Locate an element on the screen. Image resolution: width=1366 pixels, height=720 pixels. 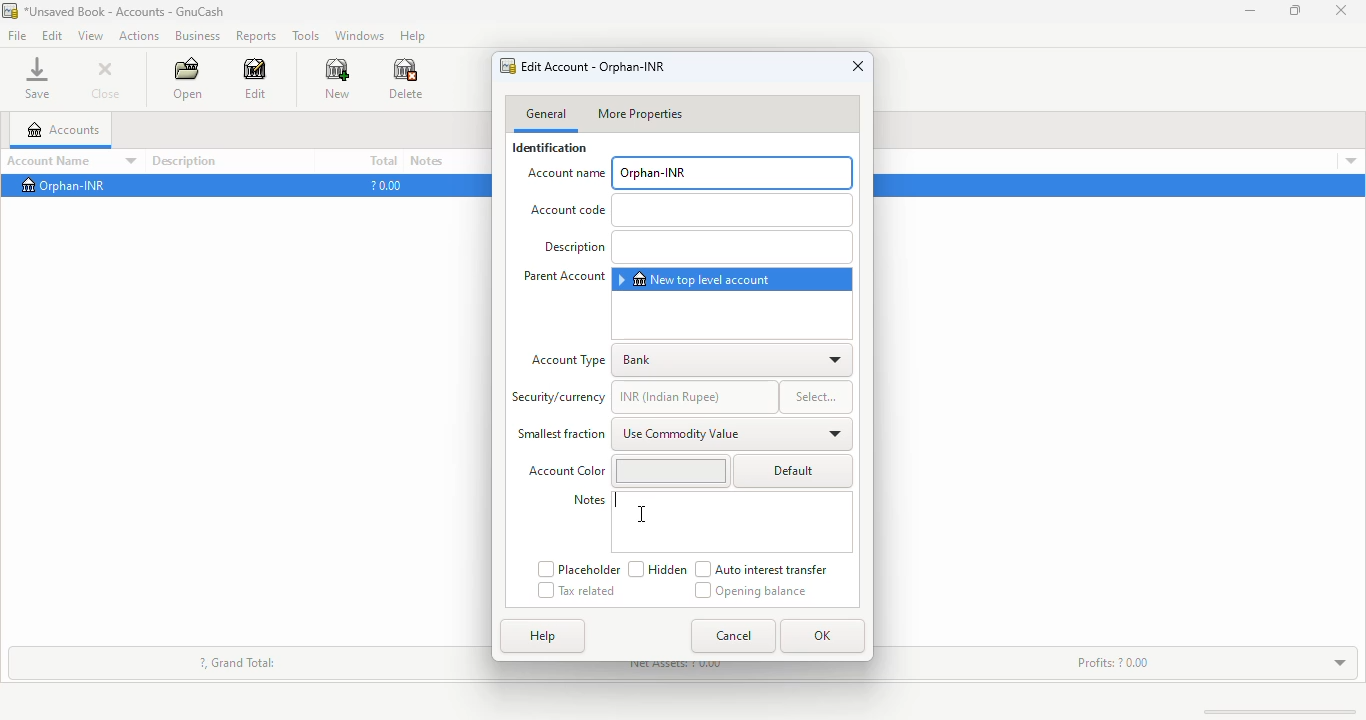
tax related is located at coordinates (577, 591).